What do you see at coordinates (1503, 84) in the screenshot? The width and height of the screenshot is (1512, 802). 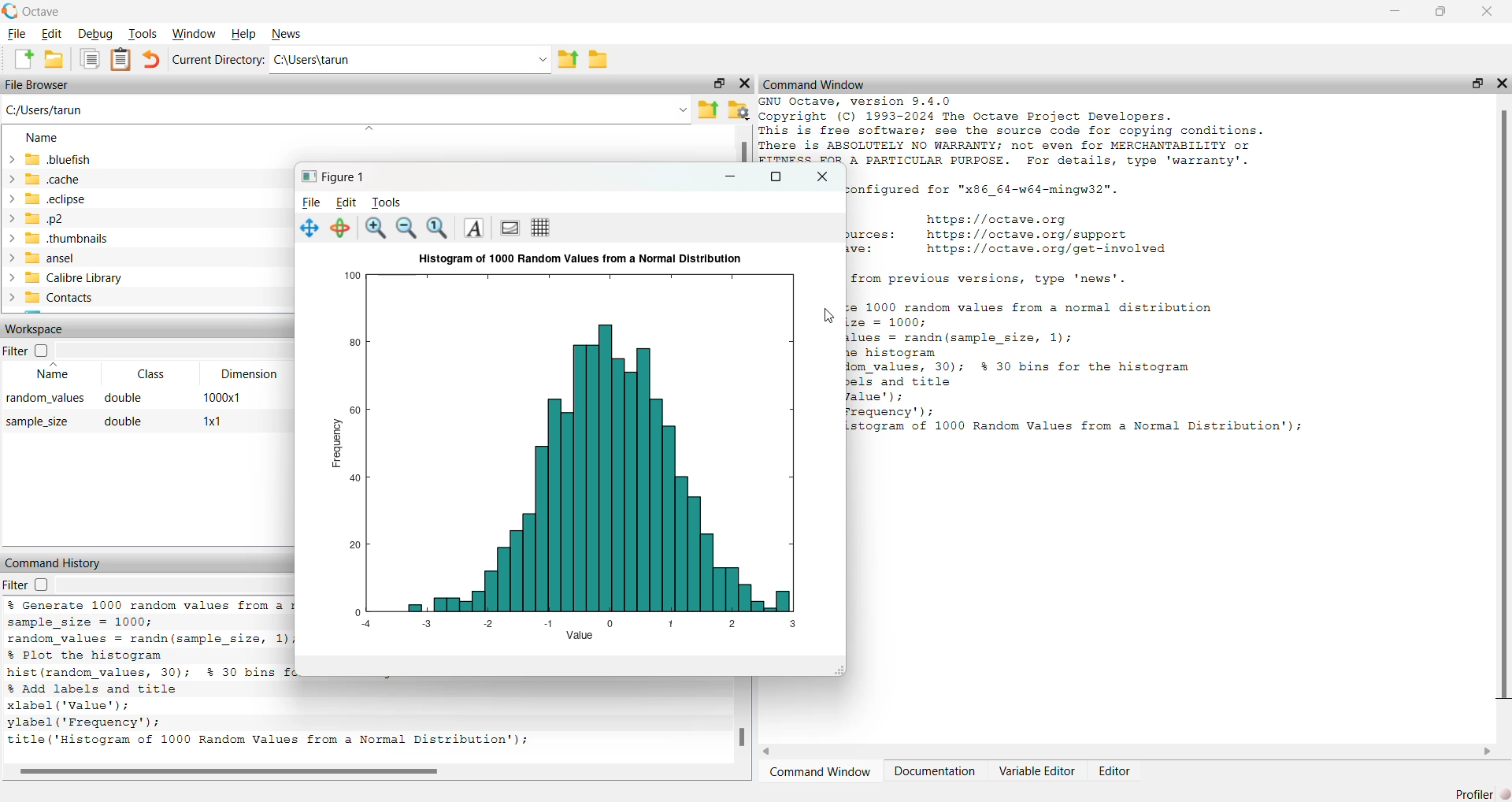 I see `close` at bounding box center [1503, 84].